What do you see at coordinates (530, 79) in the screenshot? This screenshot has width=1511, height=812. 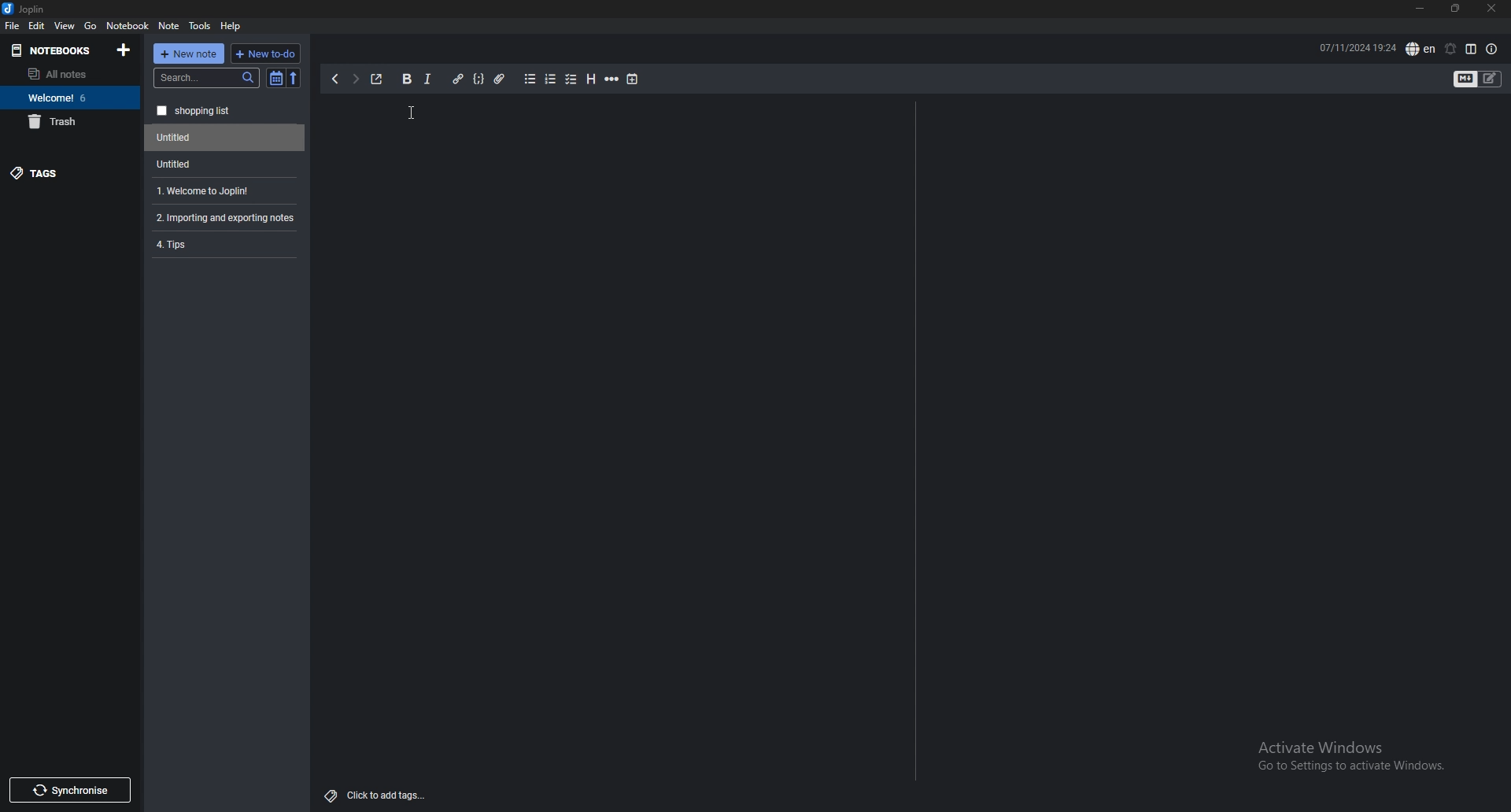 I see `bullet list` at bounding box center [530, 79].